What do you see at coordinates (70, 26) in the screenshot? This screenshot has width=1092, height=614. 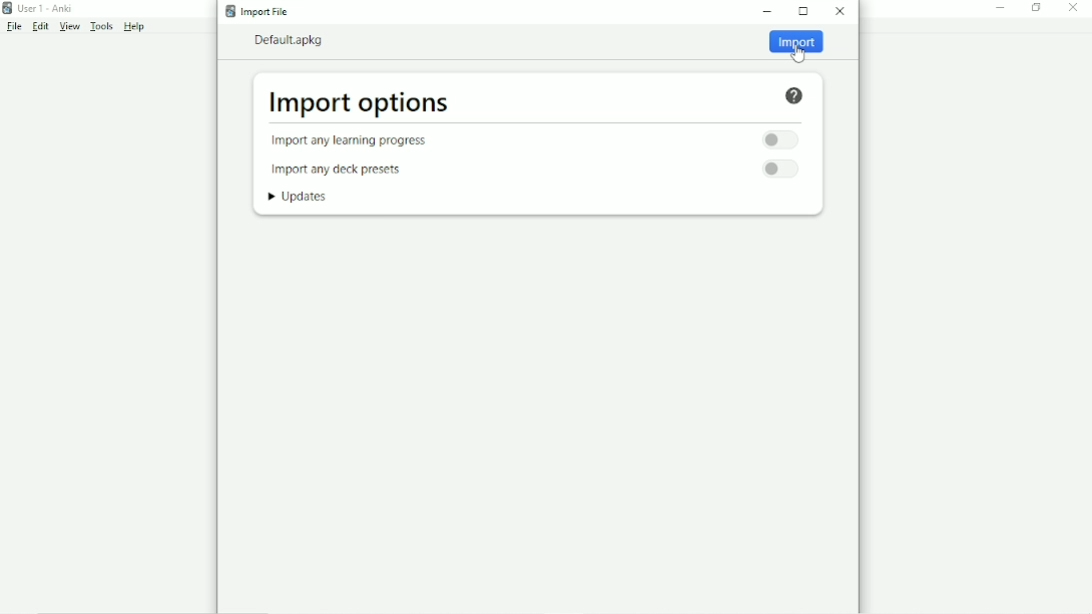 I see `View` at bounding box center [70, 26].